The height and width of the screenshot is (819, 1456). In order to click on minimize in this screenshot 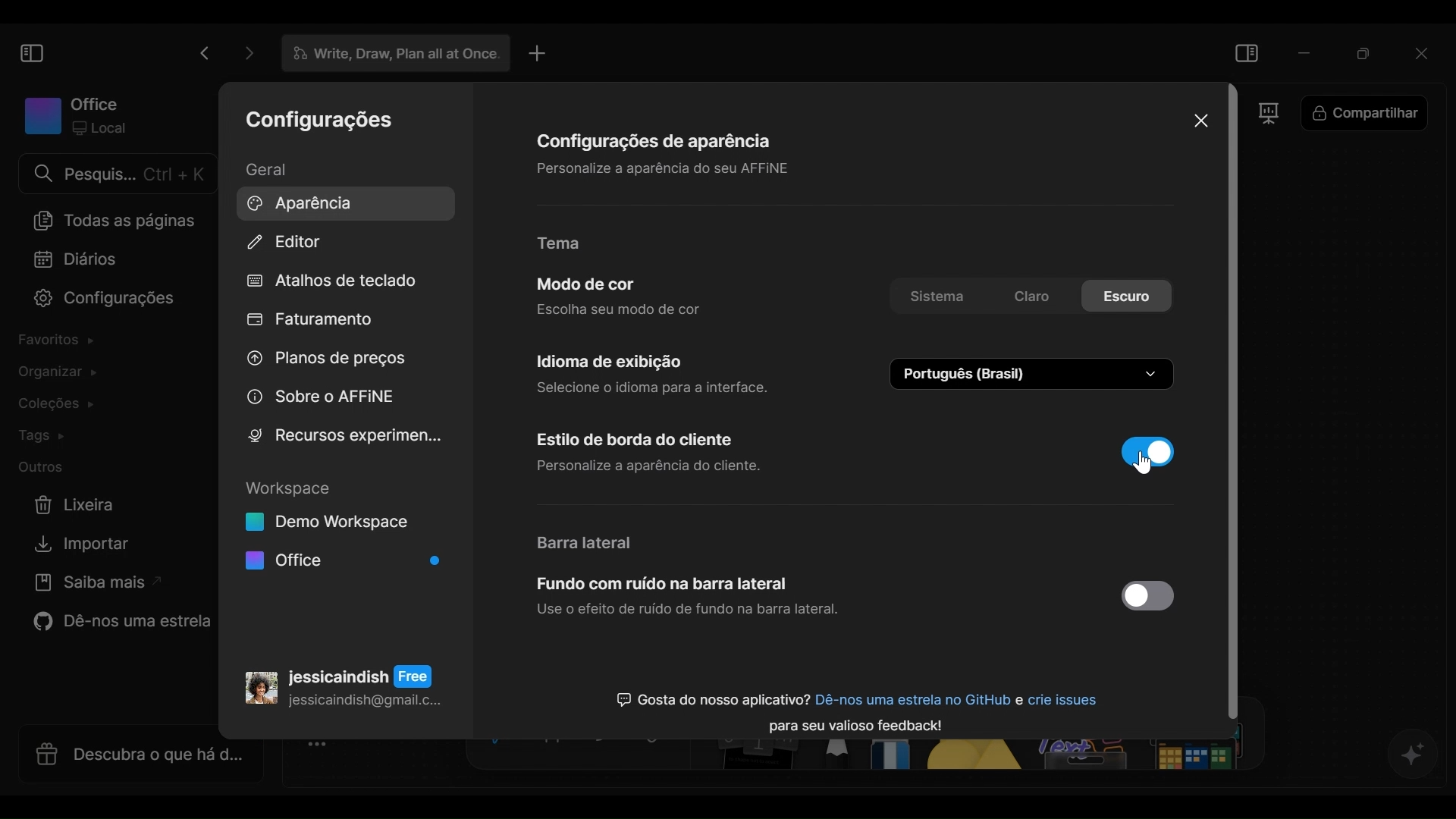, I will do `click(1305, 52)`.